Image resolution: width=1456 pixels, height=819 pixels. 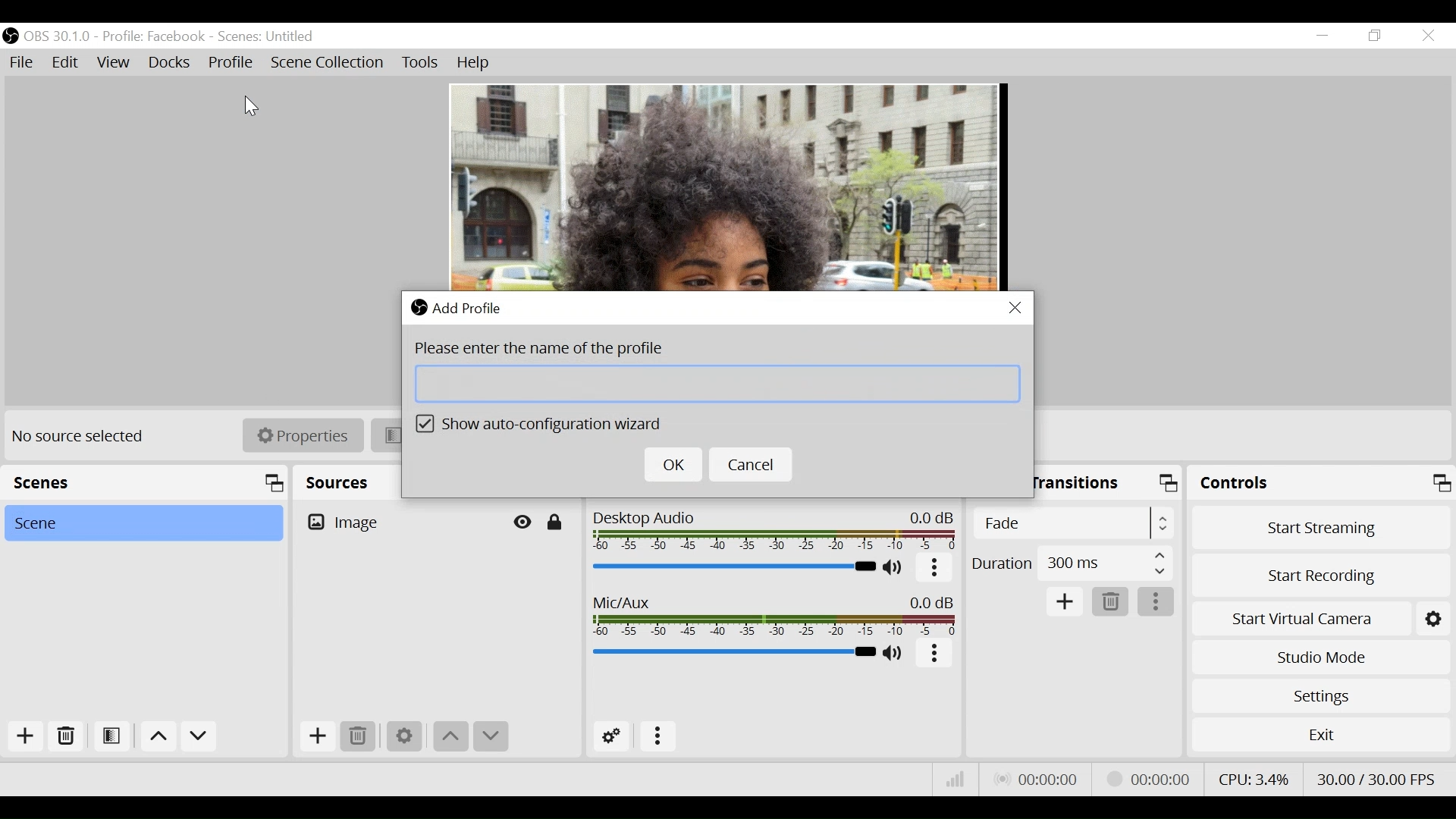 What do you see at coordinates (1015, 308) in the screenshot?
I see `Close` at bounding box center [1015, 308].